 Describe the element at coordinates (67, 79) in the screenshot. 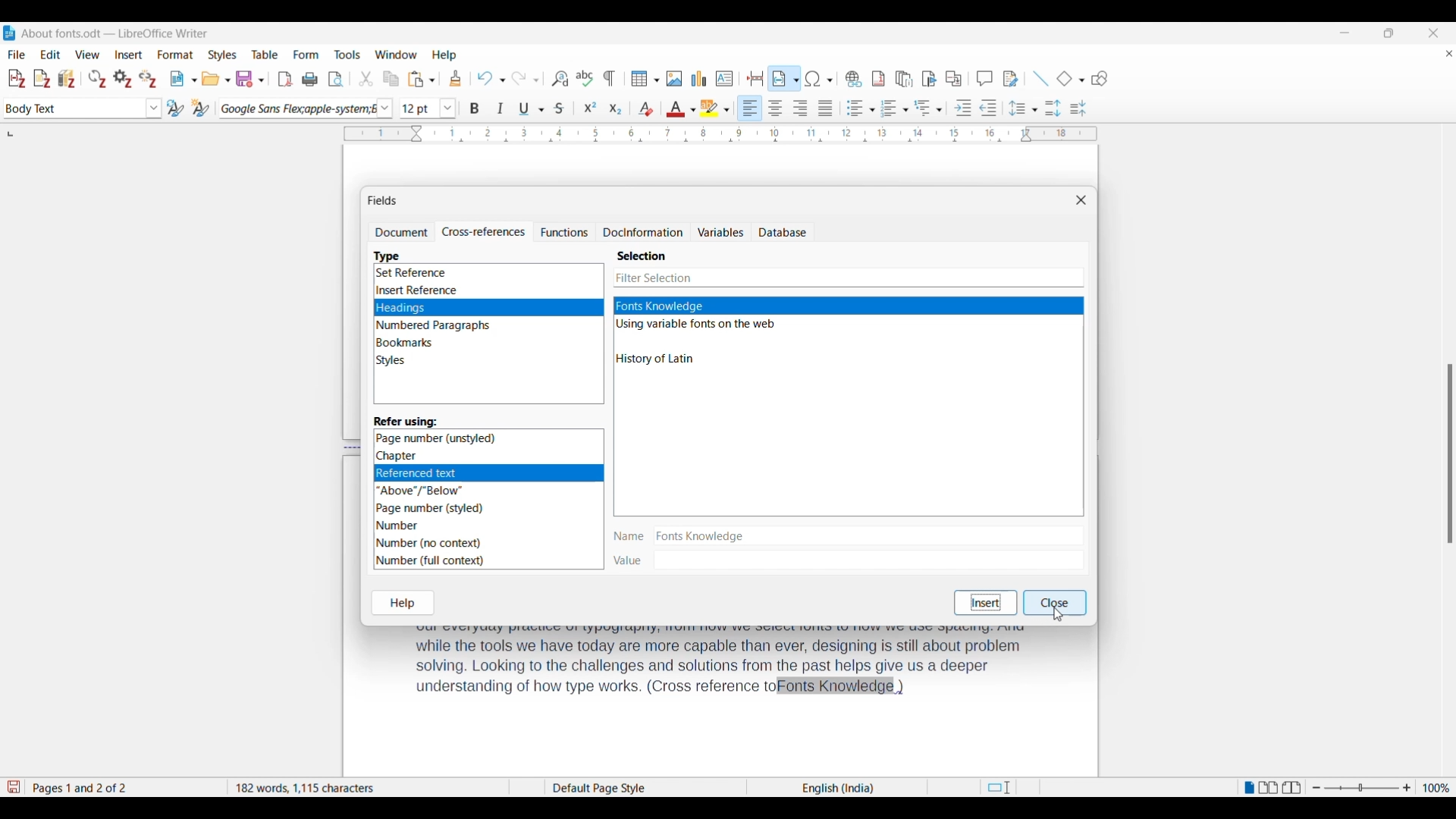

I see `Add/Edit bibliography` at that location.